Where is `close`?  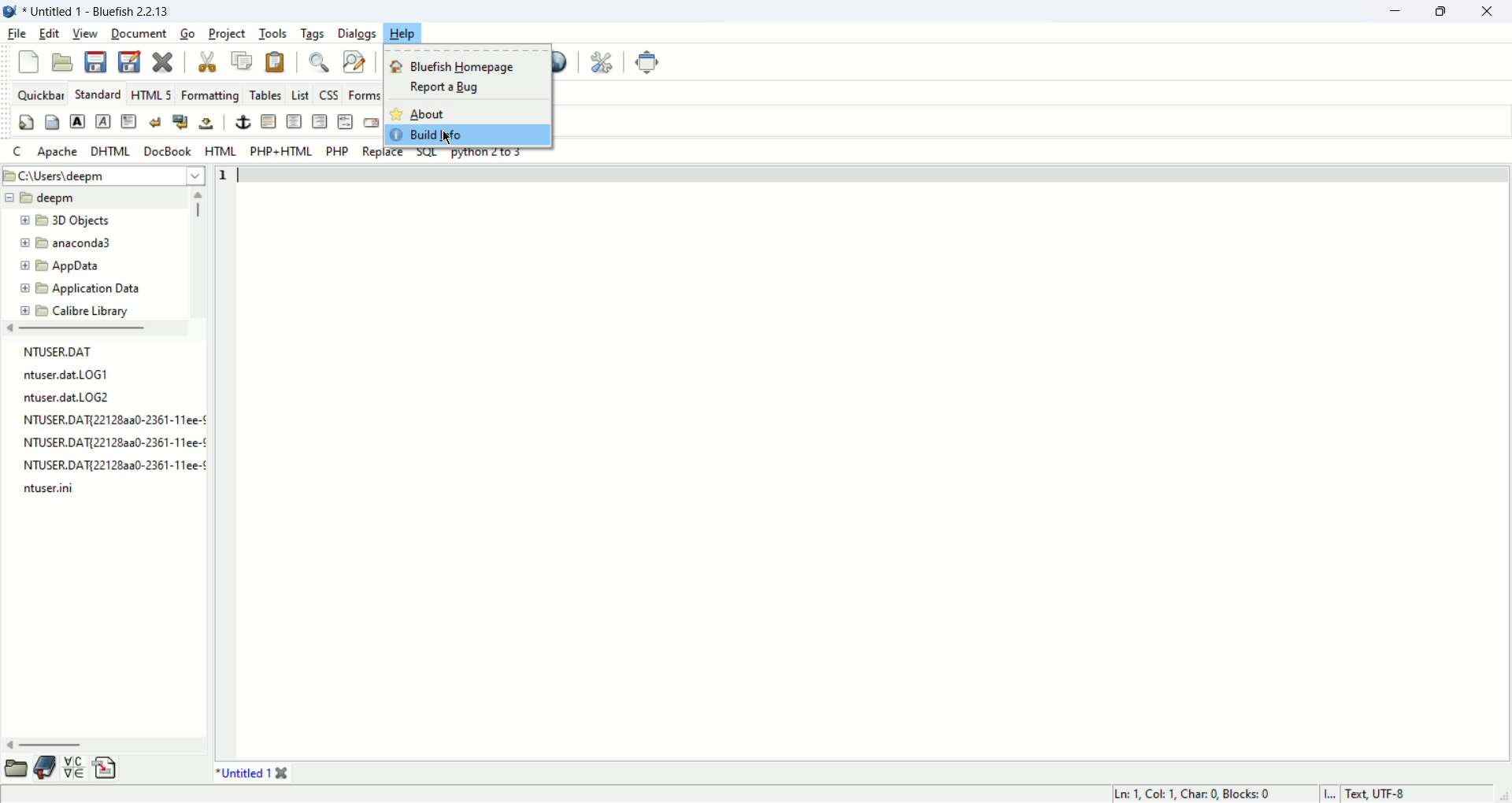 close is located at coordinates (1492, 12).